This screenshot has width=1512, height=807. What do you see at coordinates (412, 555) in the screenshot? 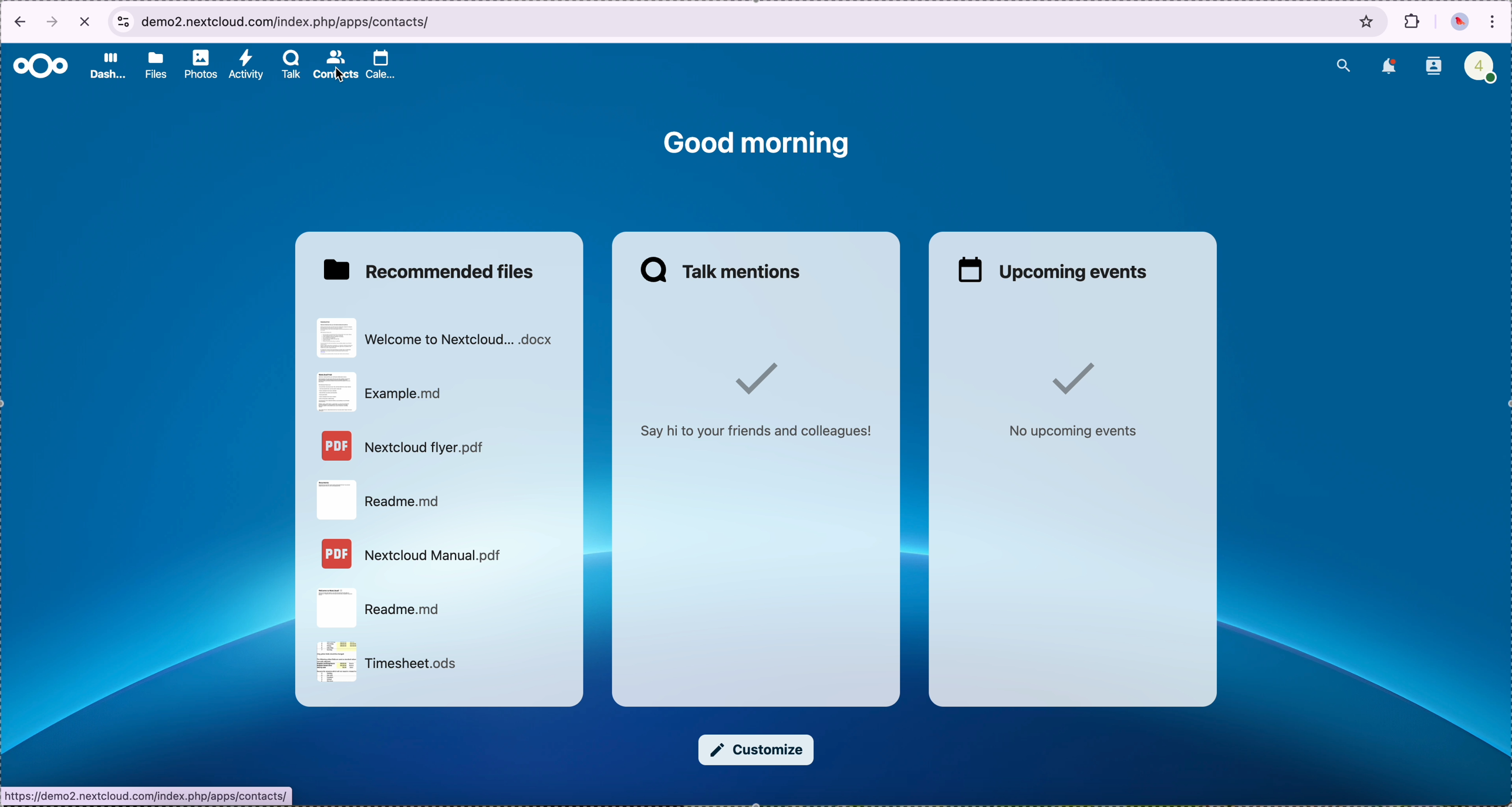
I see `file` at bounding box center [412, 555].